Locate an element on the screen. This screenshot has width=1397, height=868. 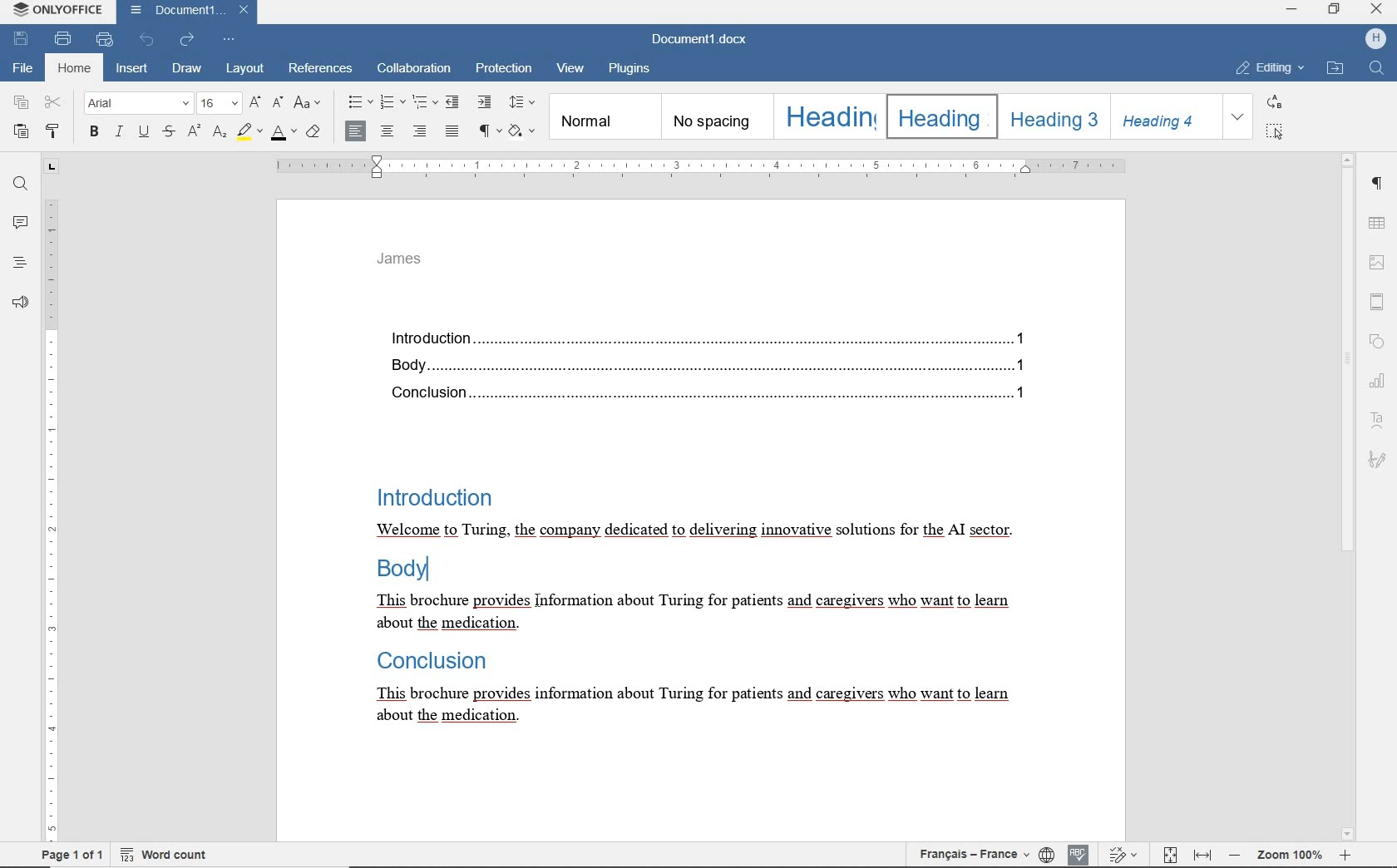
TEXT LANGUAGE is located at coordinates (976, 855).